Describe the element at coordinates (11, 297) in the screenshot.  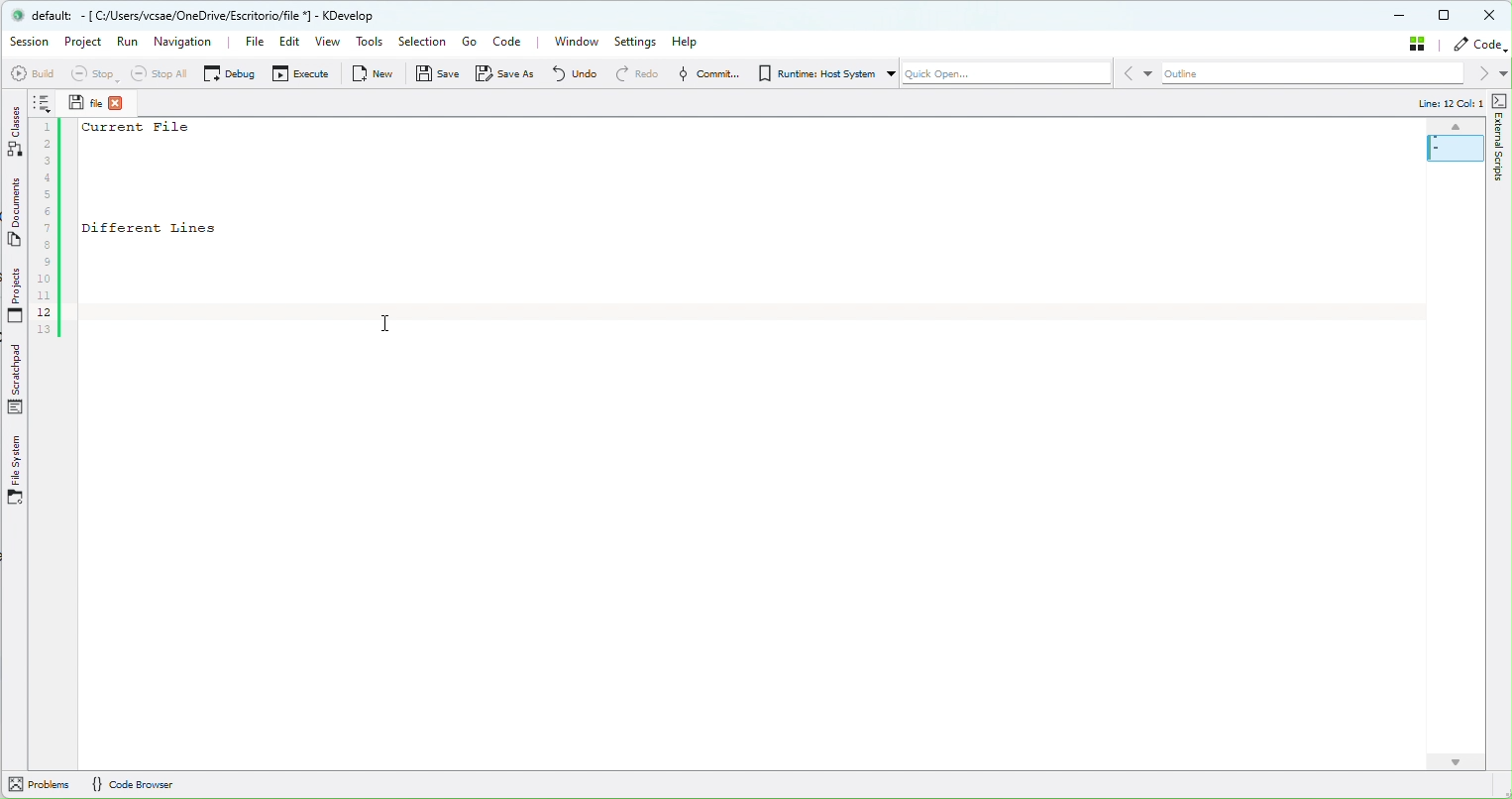
I see `Projects` at that location.